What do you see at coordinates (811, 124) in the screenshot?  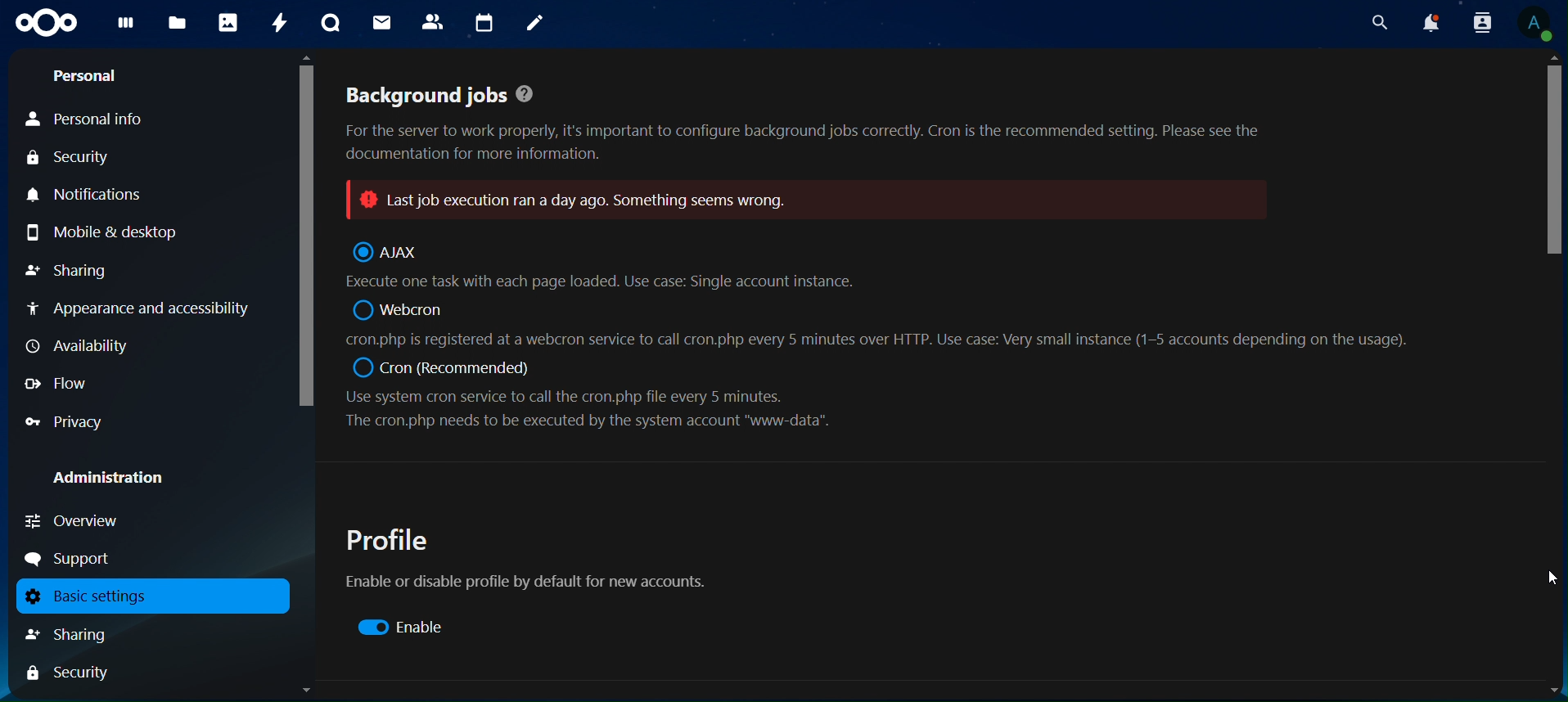 I see `Background jobs @
For the server to work properly, it's important to configure background jobs correctly. Cron is the recommended setting. Please see the
documentation for more information.` at bounding box center [811, 124].